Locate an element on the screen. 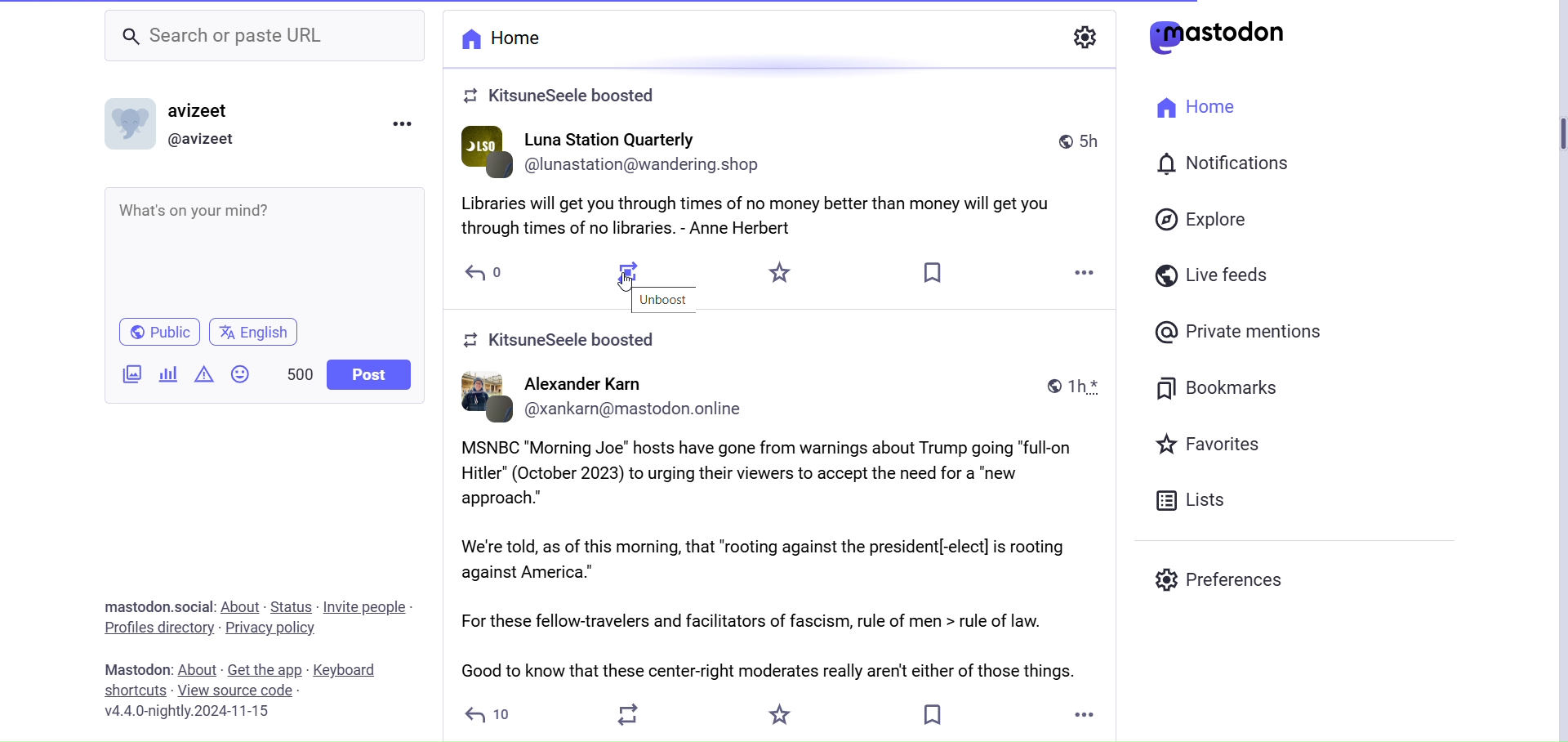 This screenshot has width=1568, height=742. Reply is located at coordinates (484, 274).